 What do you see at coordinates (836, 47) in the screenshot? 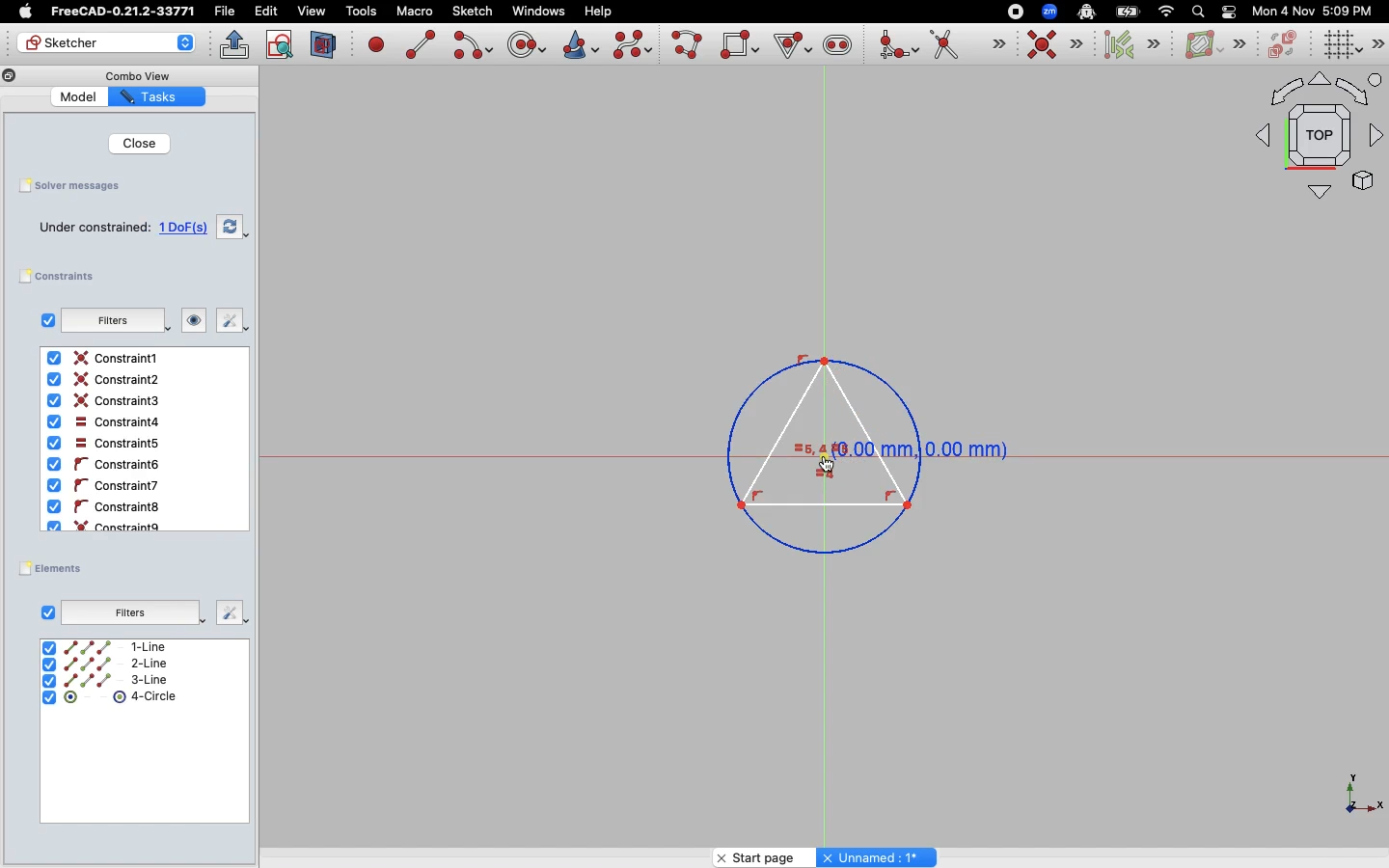
I see `Create slot` at bounding box center [836, 47].